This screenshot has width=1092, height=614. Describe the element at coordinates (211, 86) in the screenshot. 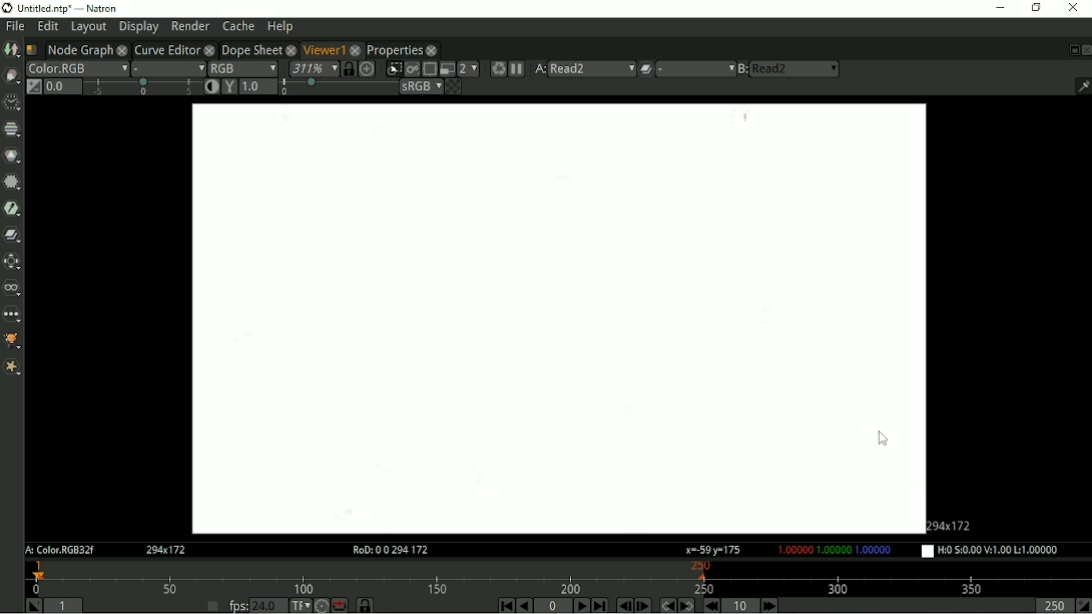

I see `Auto-contrast` at that location.